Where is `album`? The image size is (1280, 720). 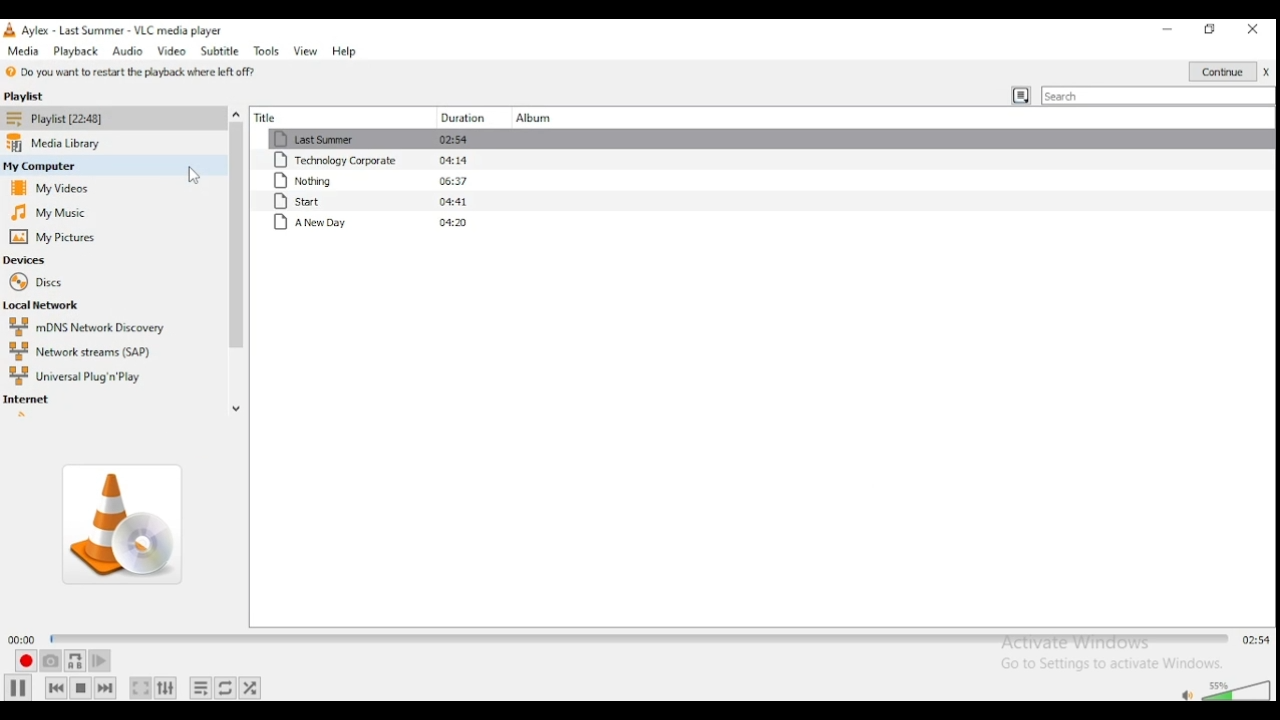 album is located at coordinates (531, 113).